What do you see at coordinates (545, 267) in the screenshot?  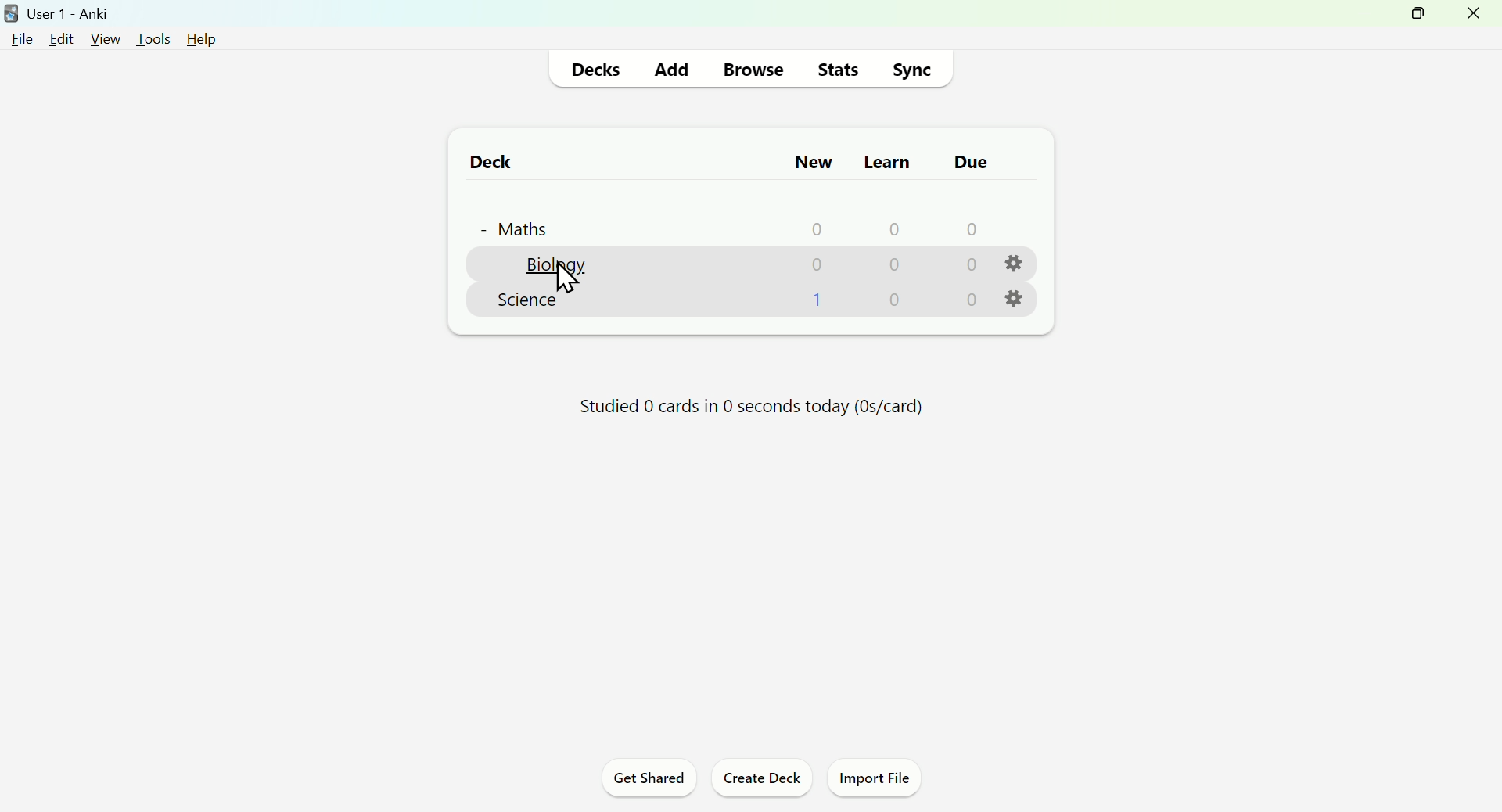 I see `biology` at bounding box center [545, 267].